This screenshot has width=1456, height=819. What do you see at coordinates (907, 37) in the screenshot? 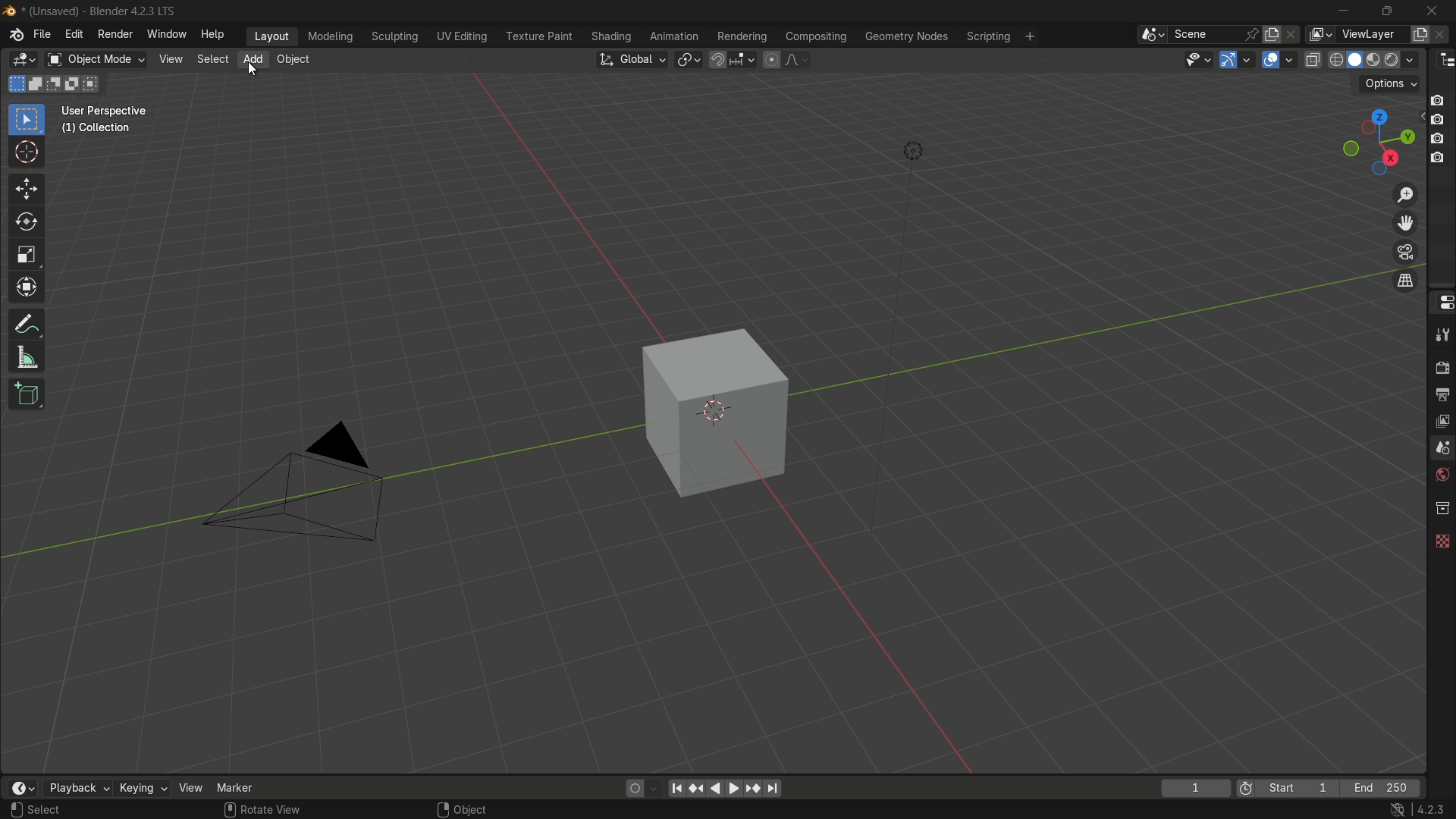
I see `geometry nodes menu` at bounding box center [907, 37].